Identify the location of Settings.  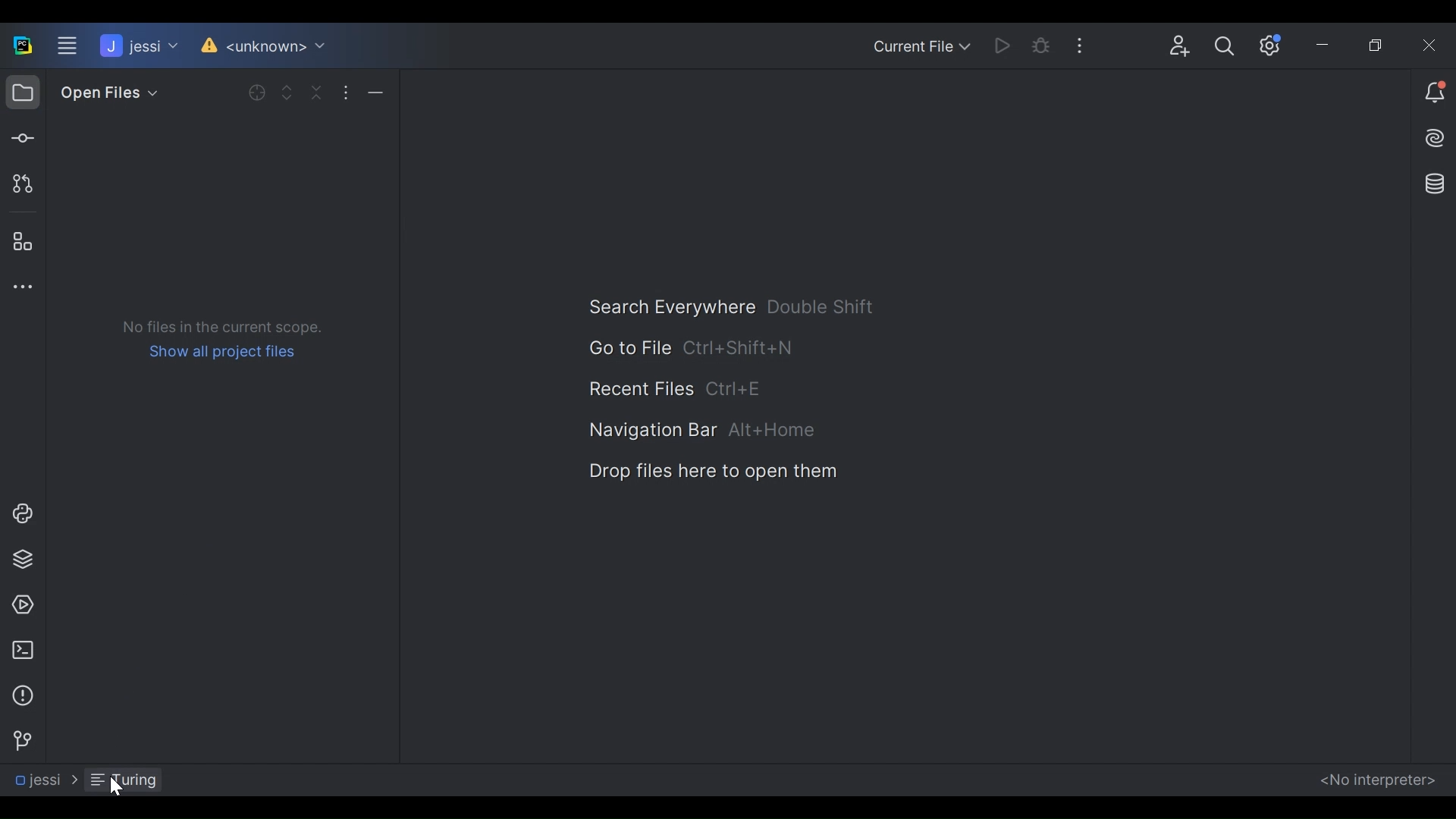
(1275, 45).